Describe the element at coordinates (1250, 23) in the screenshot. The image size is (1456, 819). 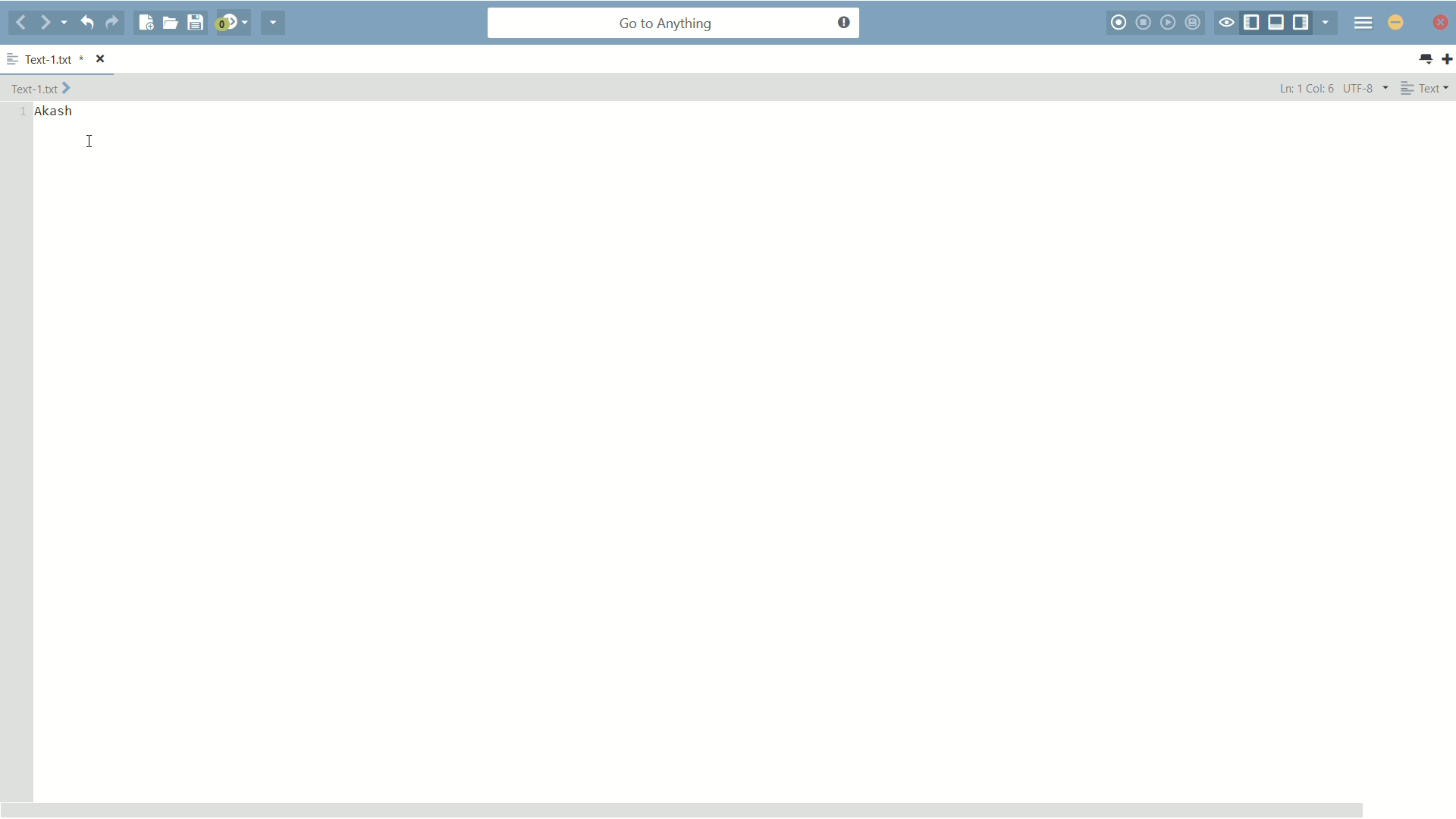
I see `show/hide left panel` at that location.